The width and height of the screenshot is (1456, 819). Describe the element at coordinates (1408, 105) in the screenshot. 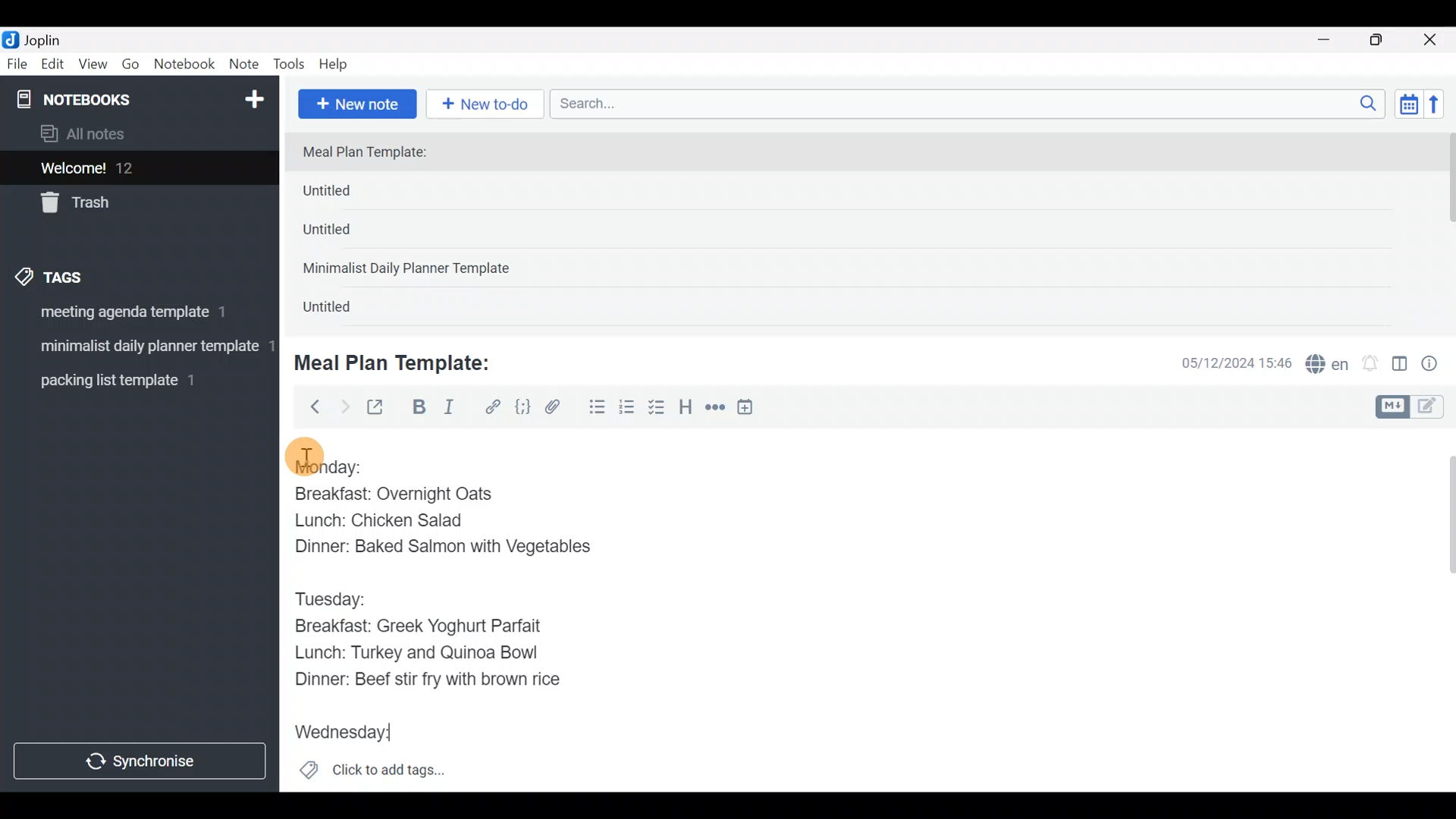

I see `Toggle sort order` at that location.